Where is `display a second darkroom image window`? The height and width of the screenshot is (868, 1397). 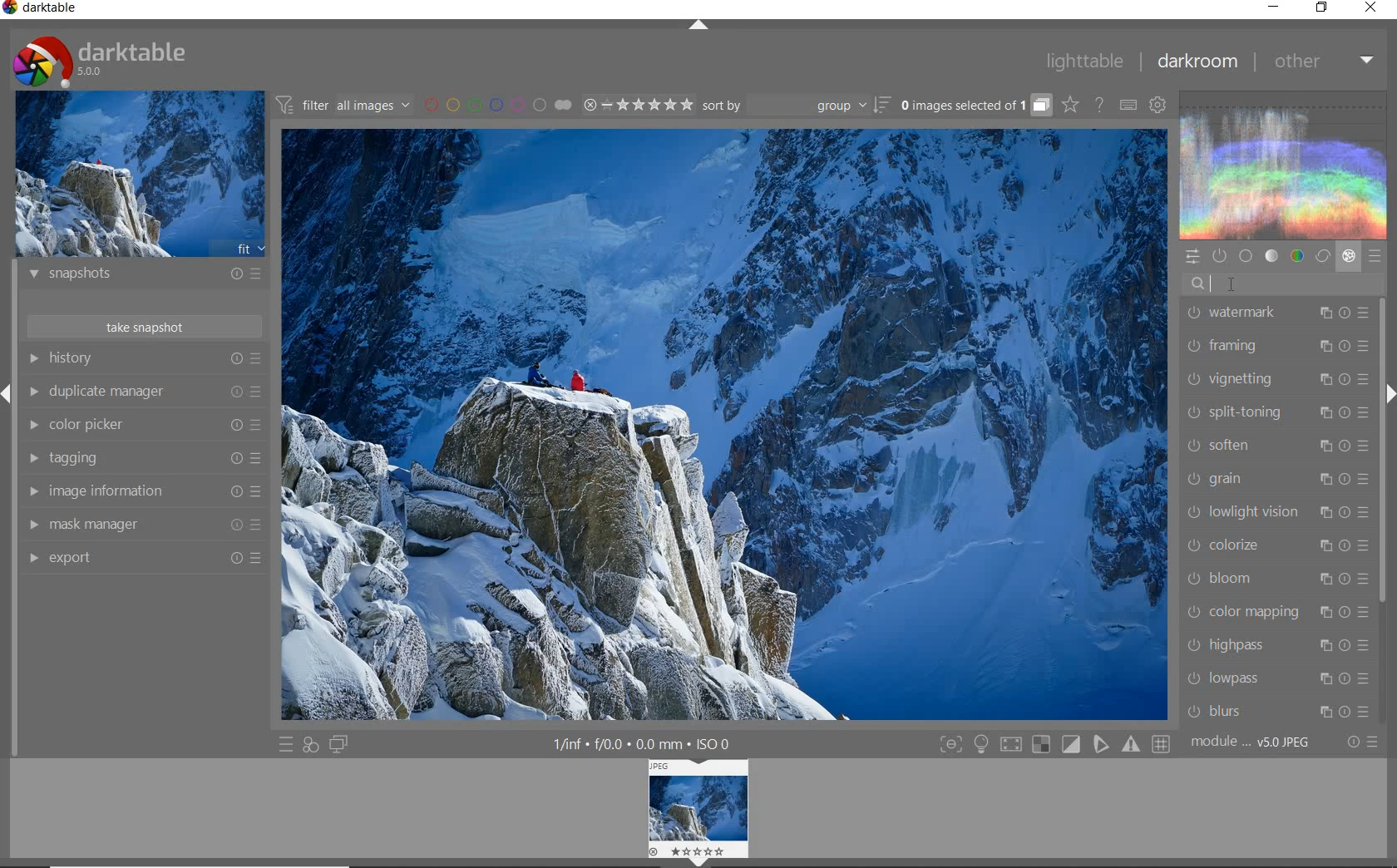 display a second darkroom image window is located at coordinates (338, 745).